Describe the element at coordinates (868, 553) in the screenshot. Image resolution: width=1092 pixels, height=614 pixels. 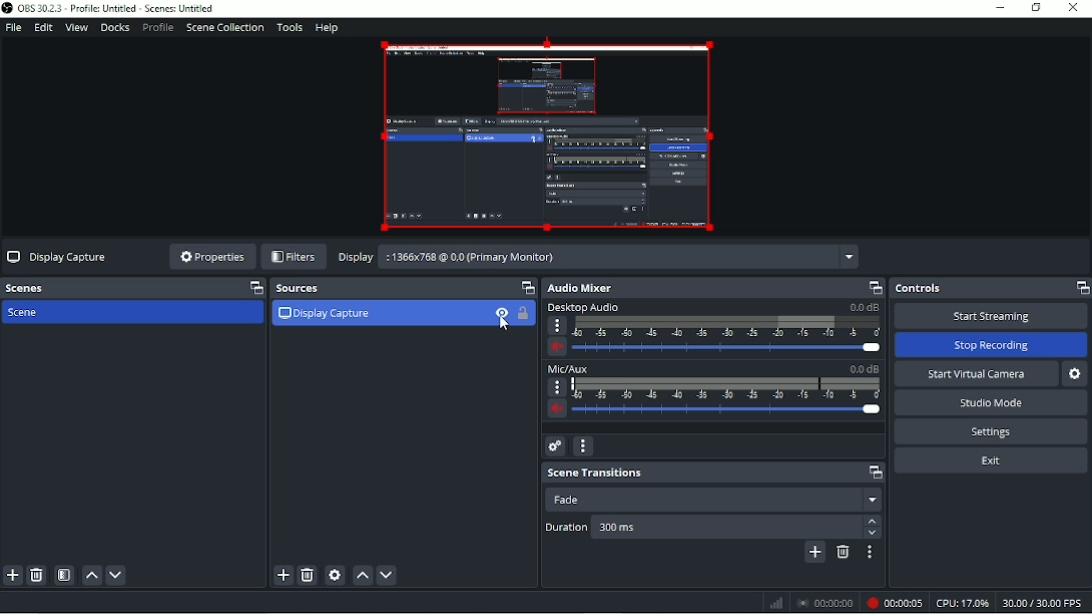
I see `Transition properties` at that location.